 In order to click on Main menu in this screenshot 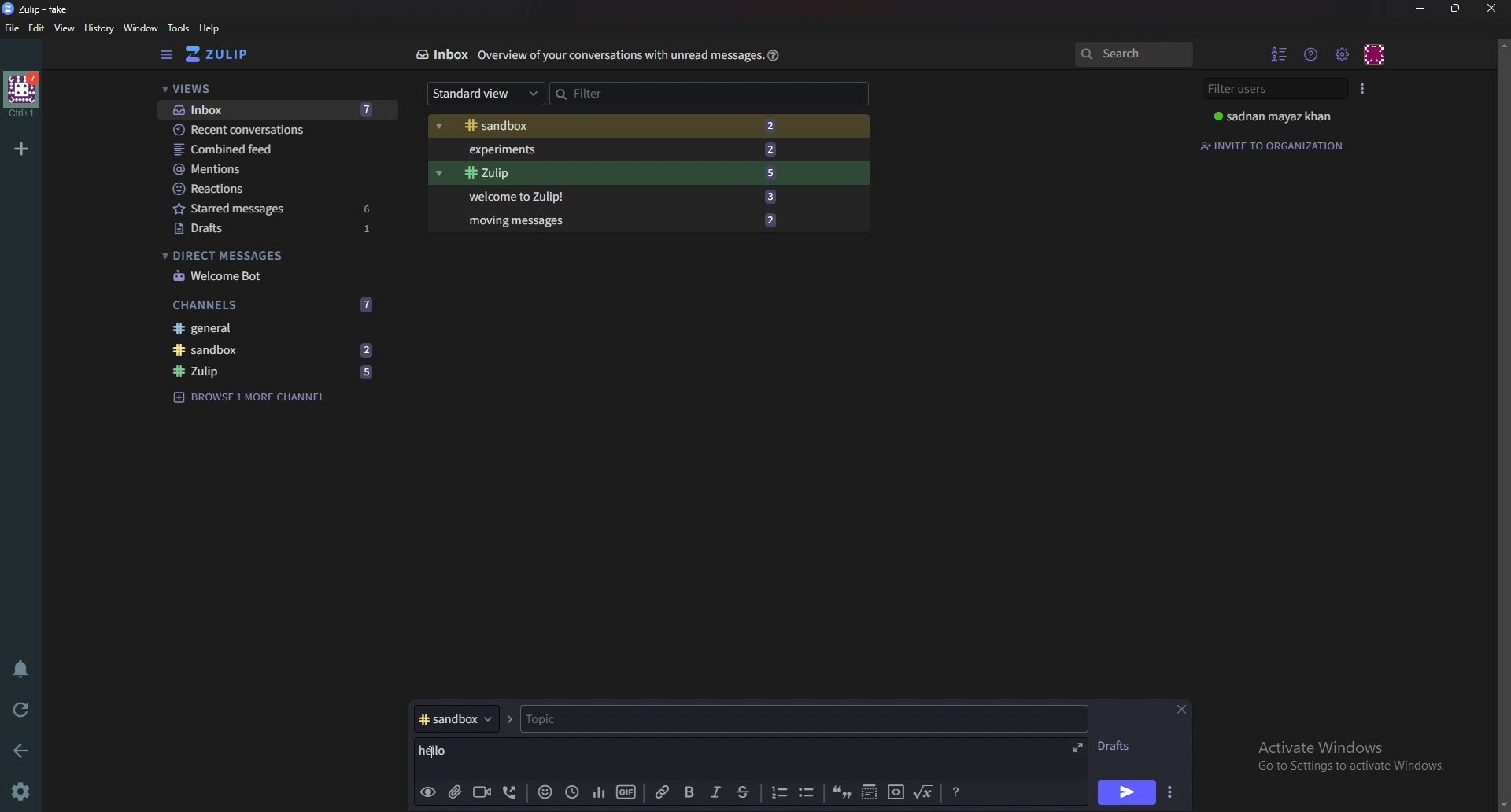, I will do `click(1343, 53)`.